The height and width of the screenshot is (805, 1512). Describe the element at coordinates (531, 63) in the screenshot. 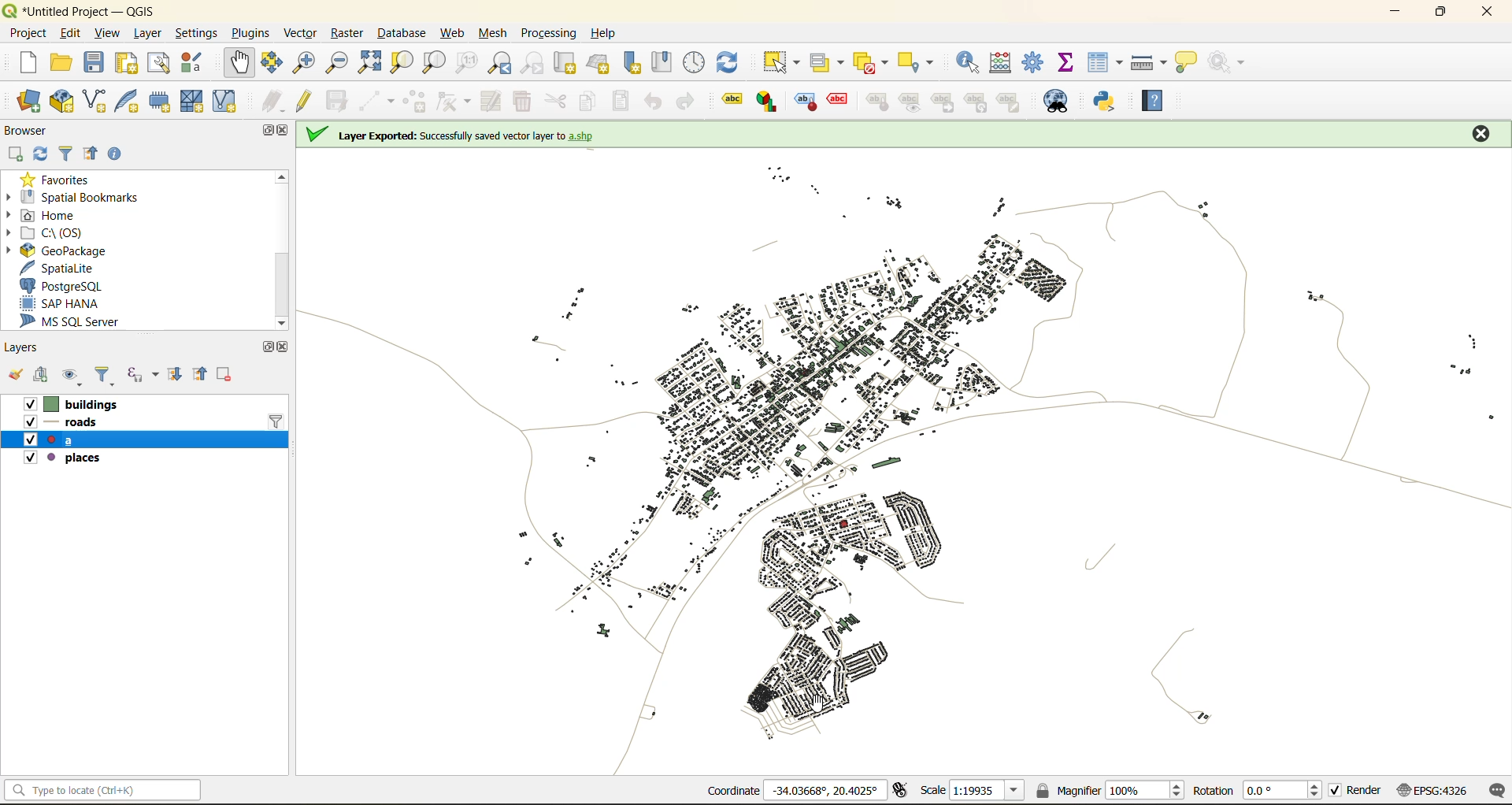

I see `zoom next` at that location.